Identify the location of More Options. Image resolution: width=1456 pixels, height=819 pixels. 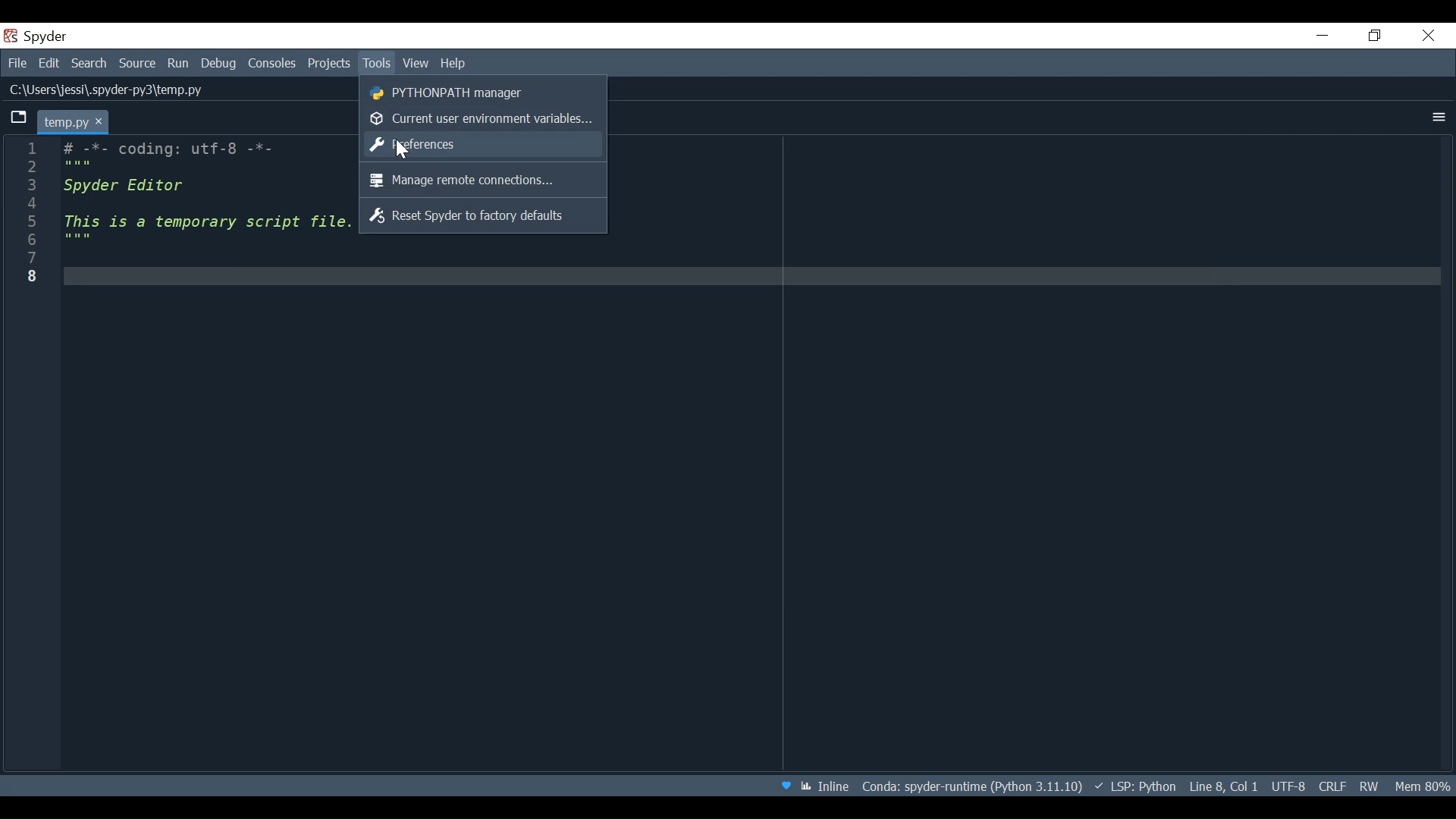
(1439, 117).